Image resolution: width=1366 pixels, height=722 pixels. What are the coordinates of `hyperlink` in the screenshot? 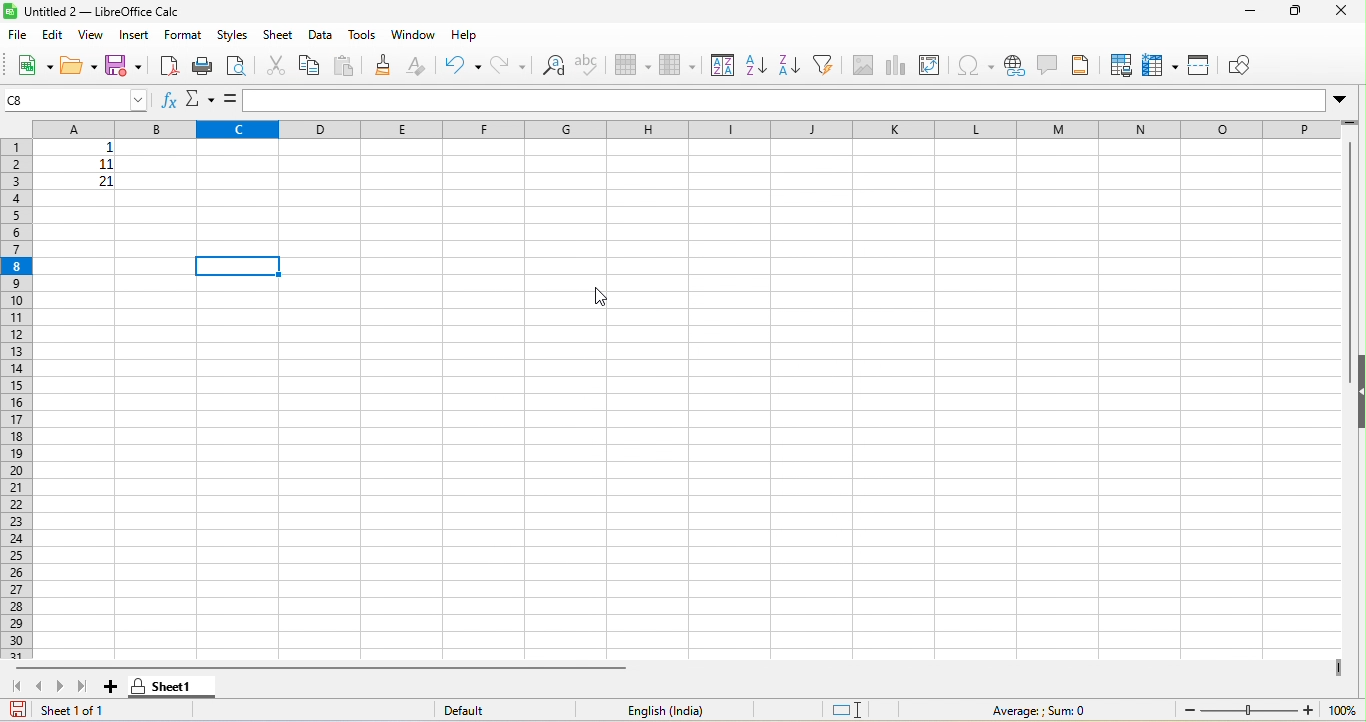 It's located at (1024, 64).